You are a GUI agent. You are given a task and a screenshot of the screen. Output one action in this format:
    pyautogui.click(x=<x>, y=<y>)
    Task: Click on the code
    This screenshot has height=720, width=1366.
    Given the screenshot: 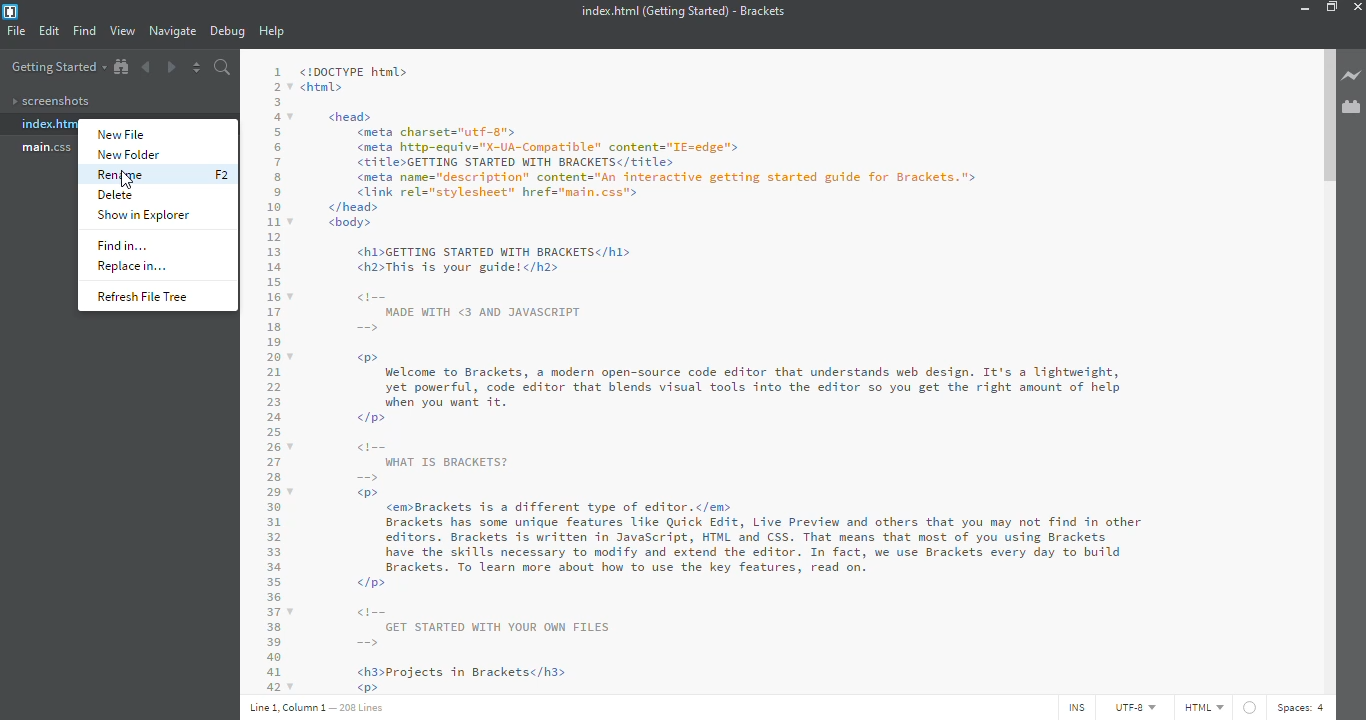 What is the action you would take?
    pyautogui.click(x=782, y=374)
    